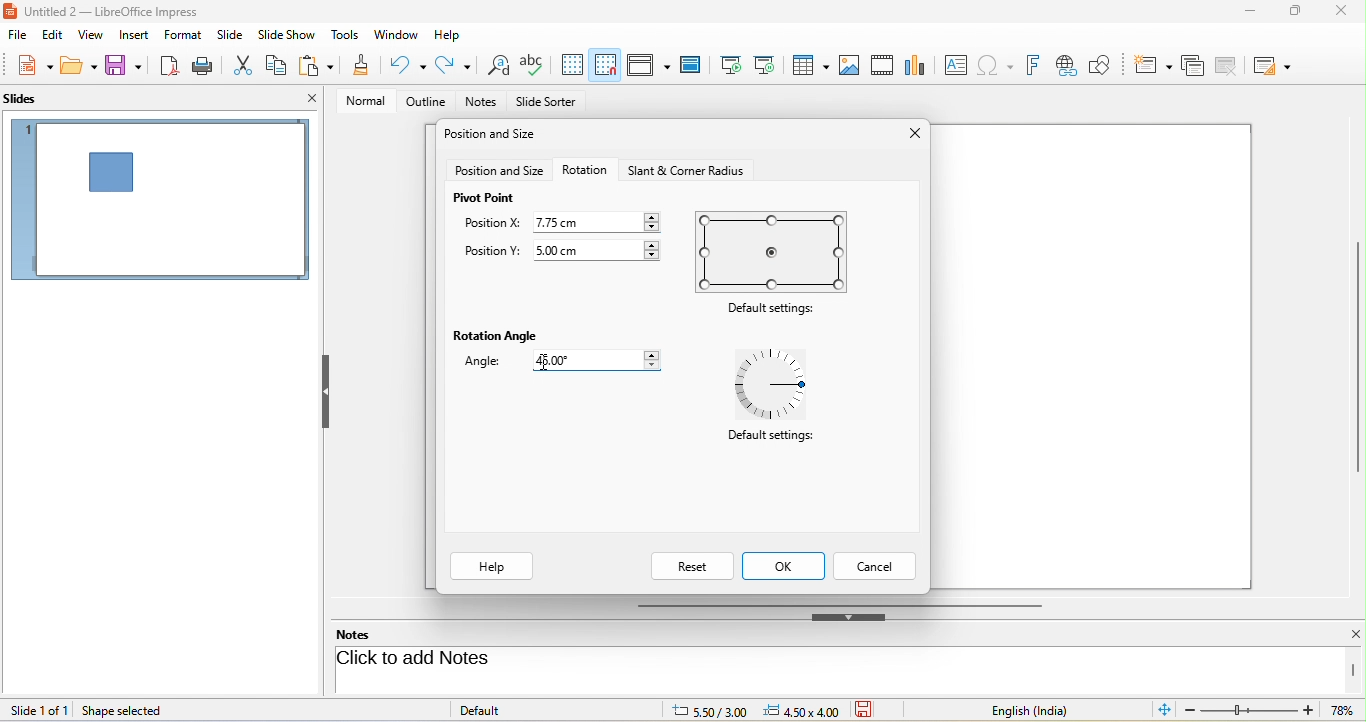  What do you see at coordinates (491, 253) in the screenshot?
I see `position y` at bounding box center [491, 253].